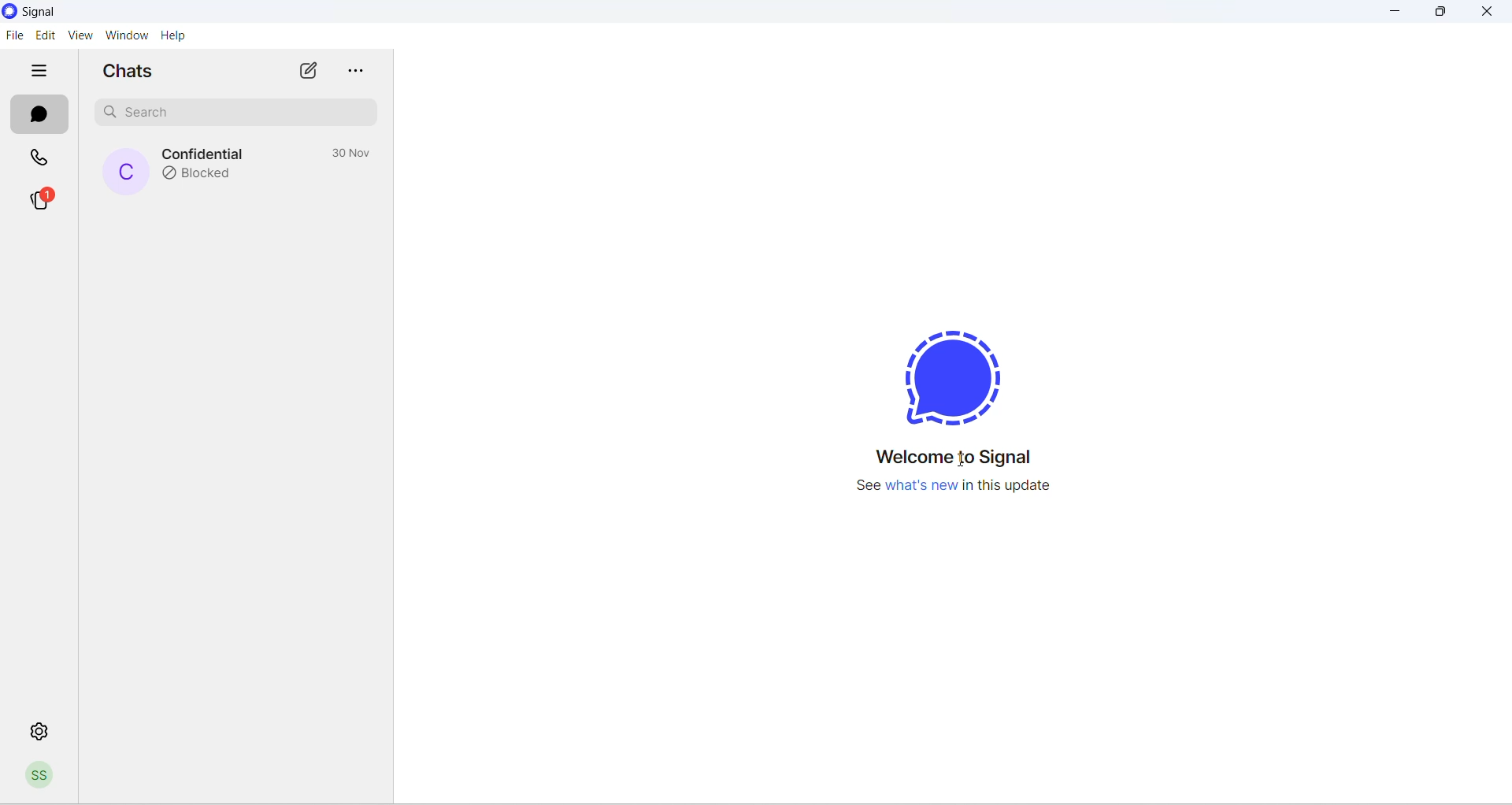 Image resolution: width=1512 pixels, height=805 pixels. Describe the element at coordinates (205, 150) in the screenshot. I see `contact name` at that location.